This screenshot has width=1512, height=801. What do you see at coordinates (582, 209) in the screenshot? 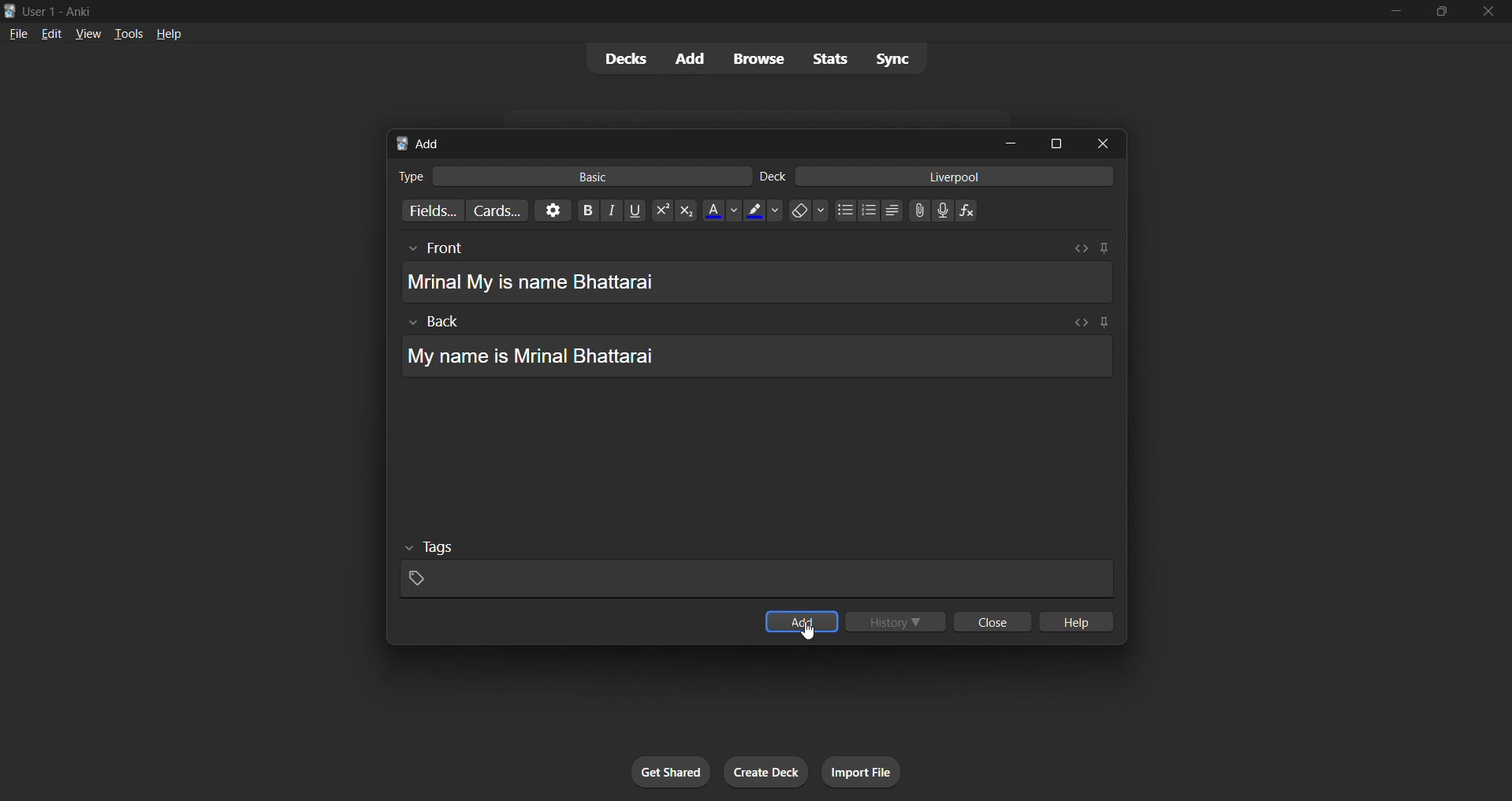
I see `bold` at bounding box center [582, 209].